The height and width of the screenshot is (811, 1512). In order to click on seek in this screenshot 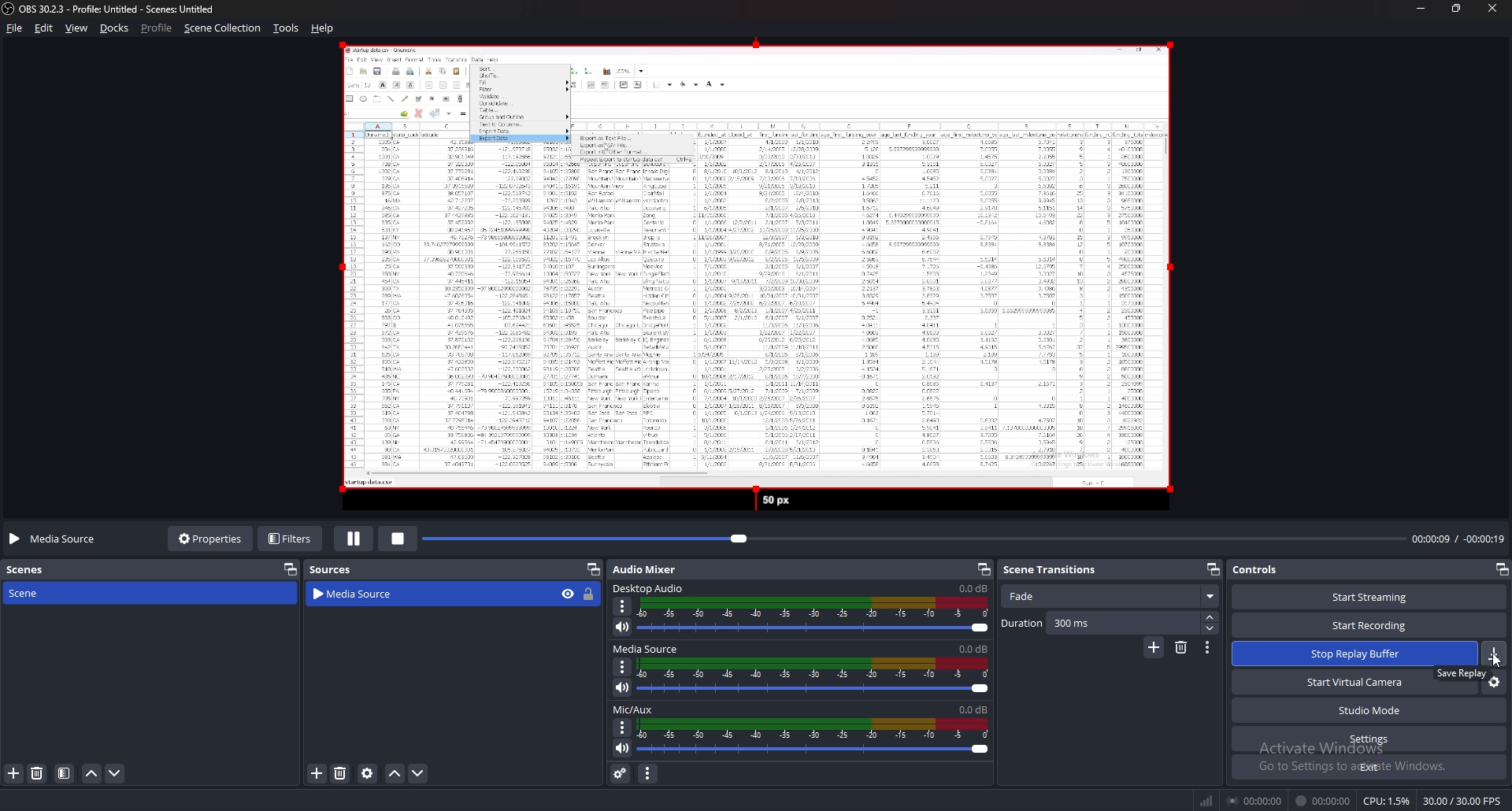, I will do `click(914, 539)`.